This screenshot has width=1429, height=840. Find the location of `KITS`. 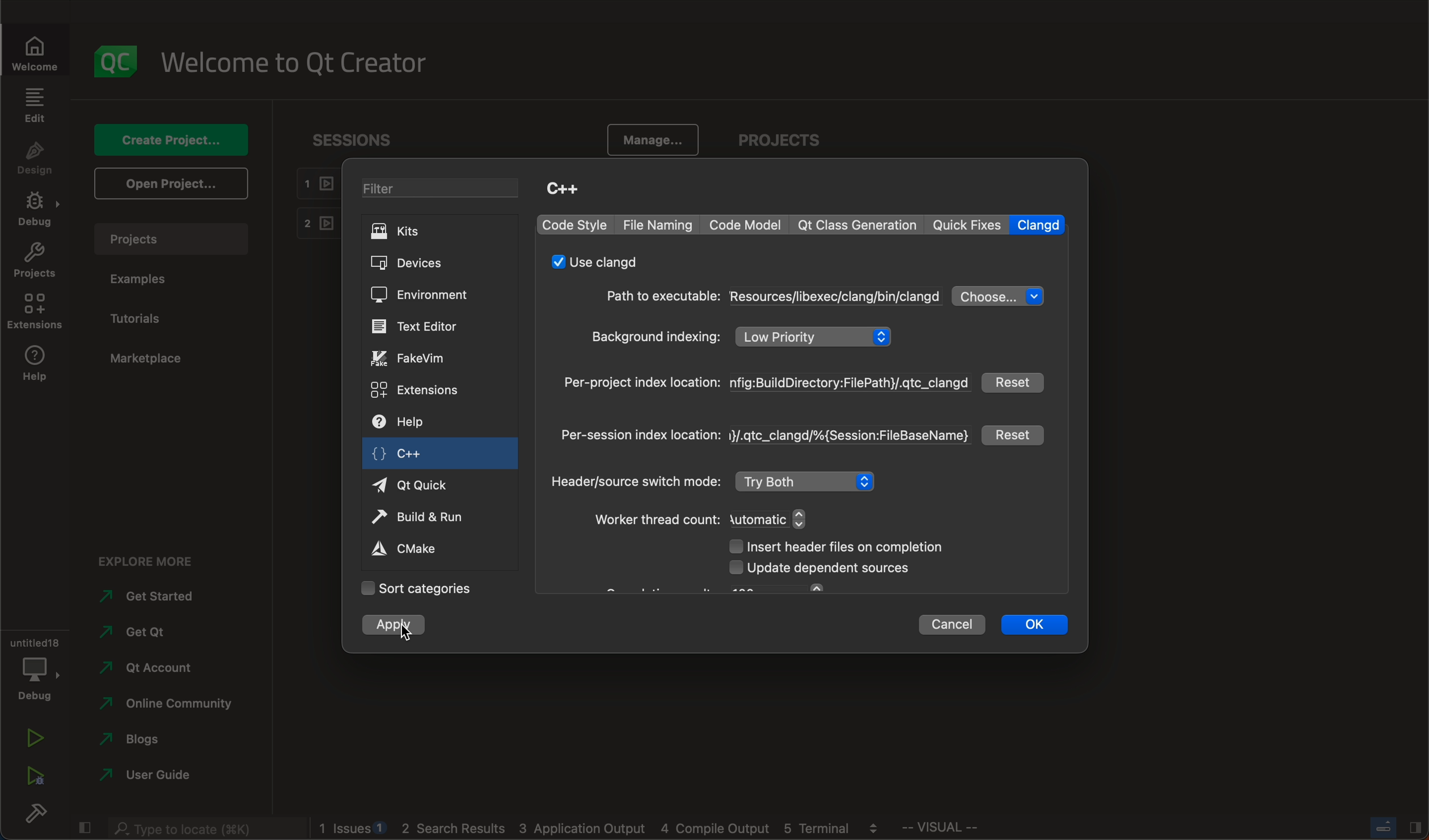

KITS is located at coordinates (425, 234).